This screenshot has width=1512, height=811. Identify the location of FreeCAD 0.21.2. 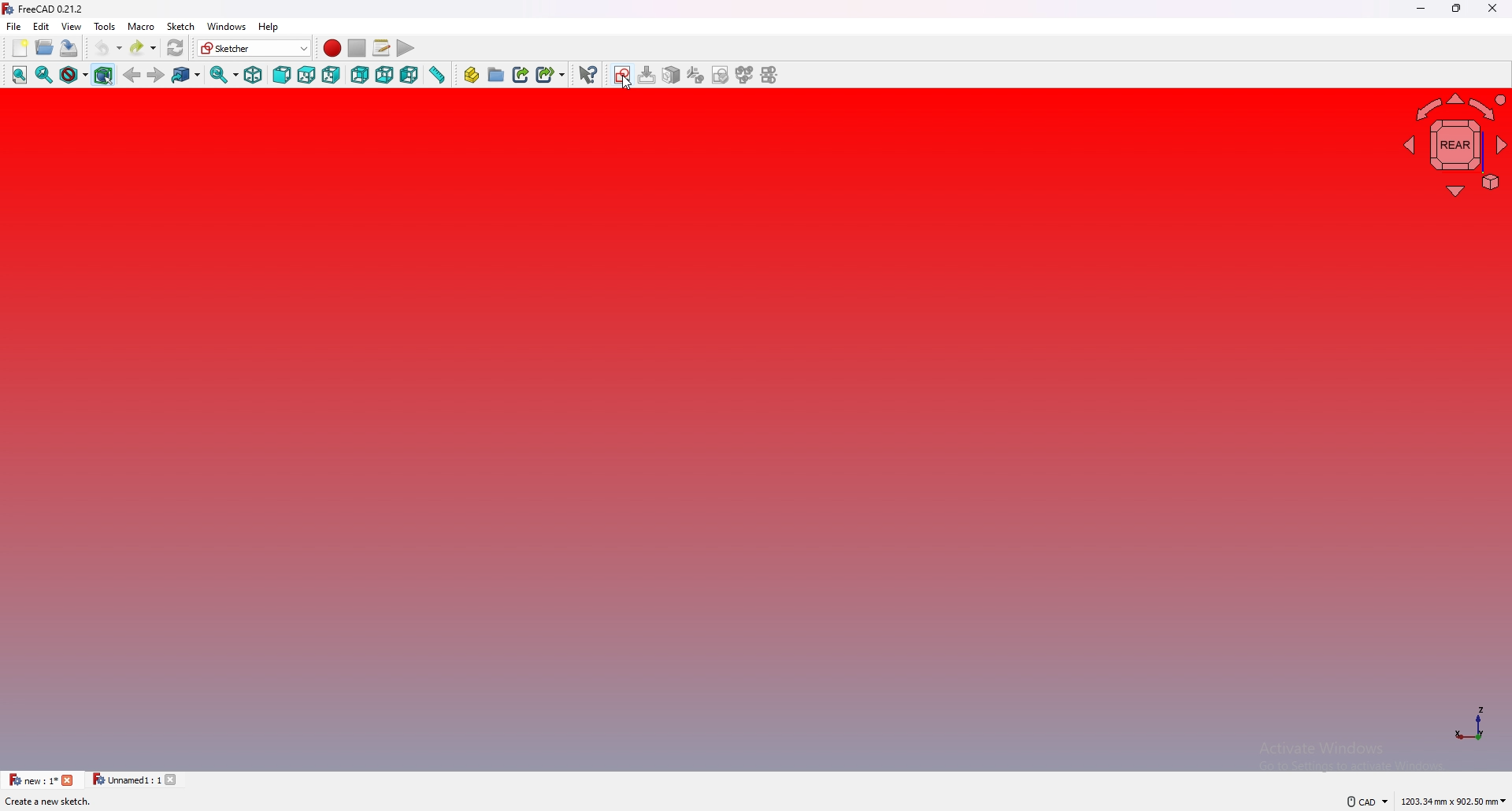
(45, 9).